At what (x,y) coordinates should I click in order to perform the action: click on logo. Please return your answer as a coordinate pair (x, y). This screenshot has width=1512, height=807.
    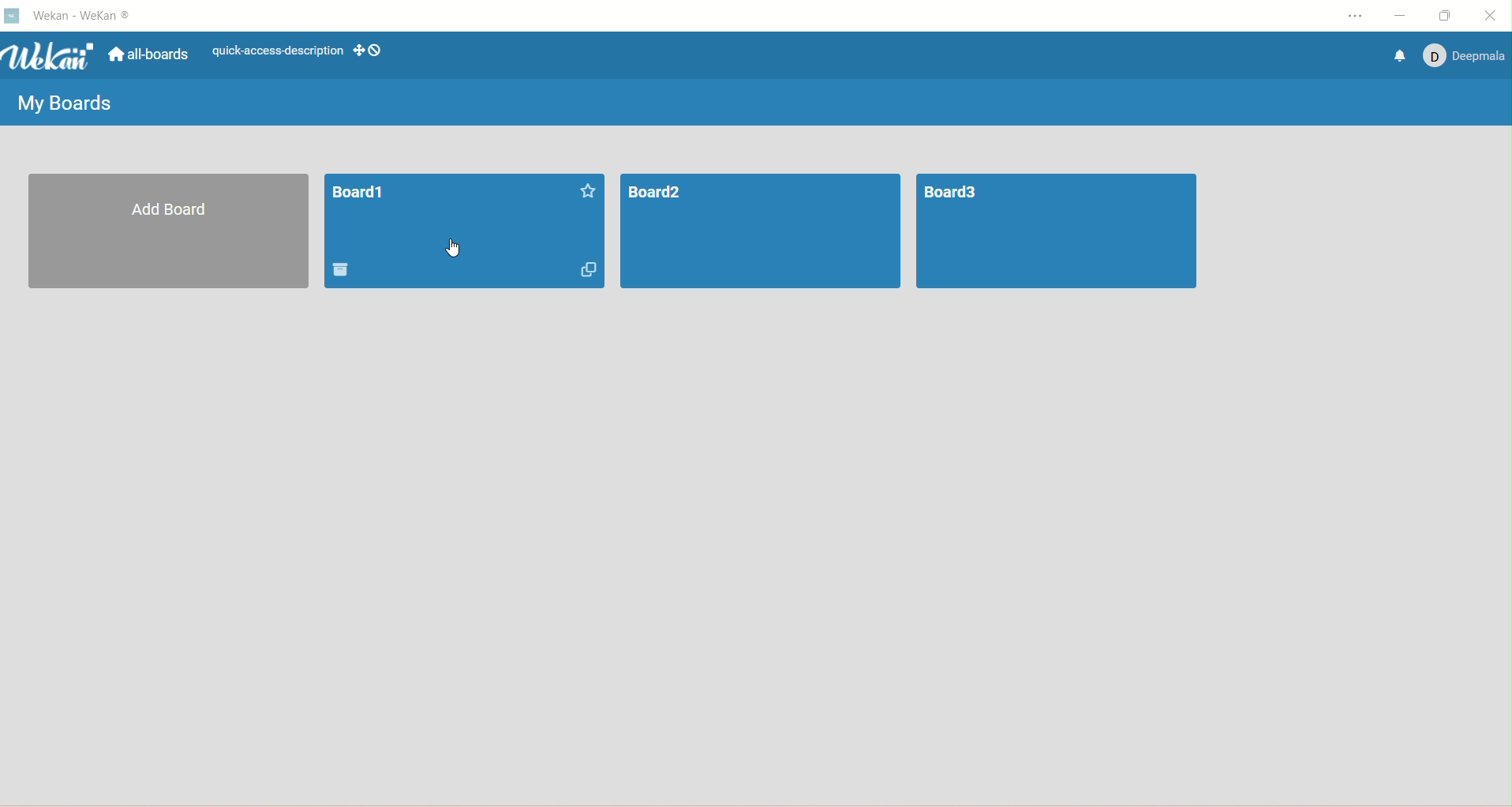
    Looking at the image, I should click on (13, 17).